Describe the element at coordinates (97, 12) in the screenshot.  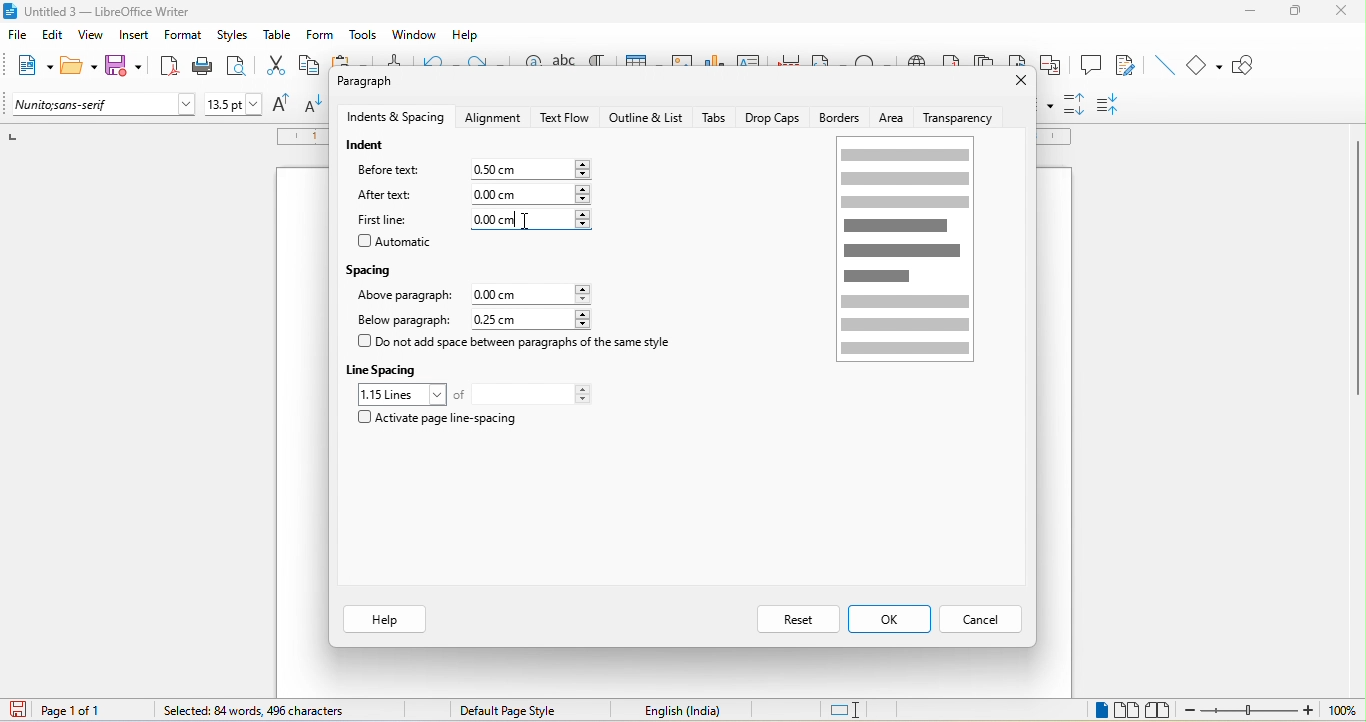
I see `title` at that location.